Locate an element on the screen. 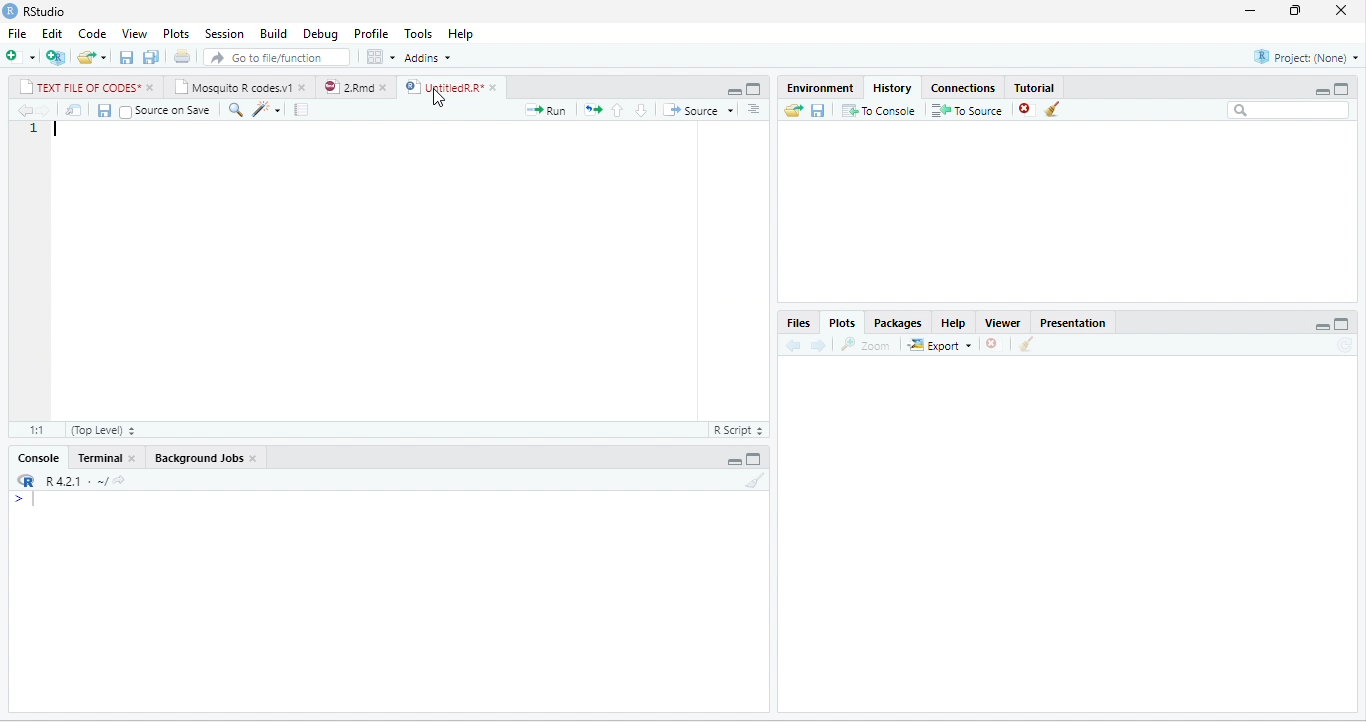 The image size is (1366, 722). print is located at coordinates (183, 57).